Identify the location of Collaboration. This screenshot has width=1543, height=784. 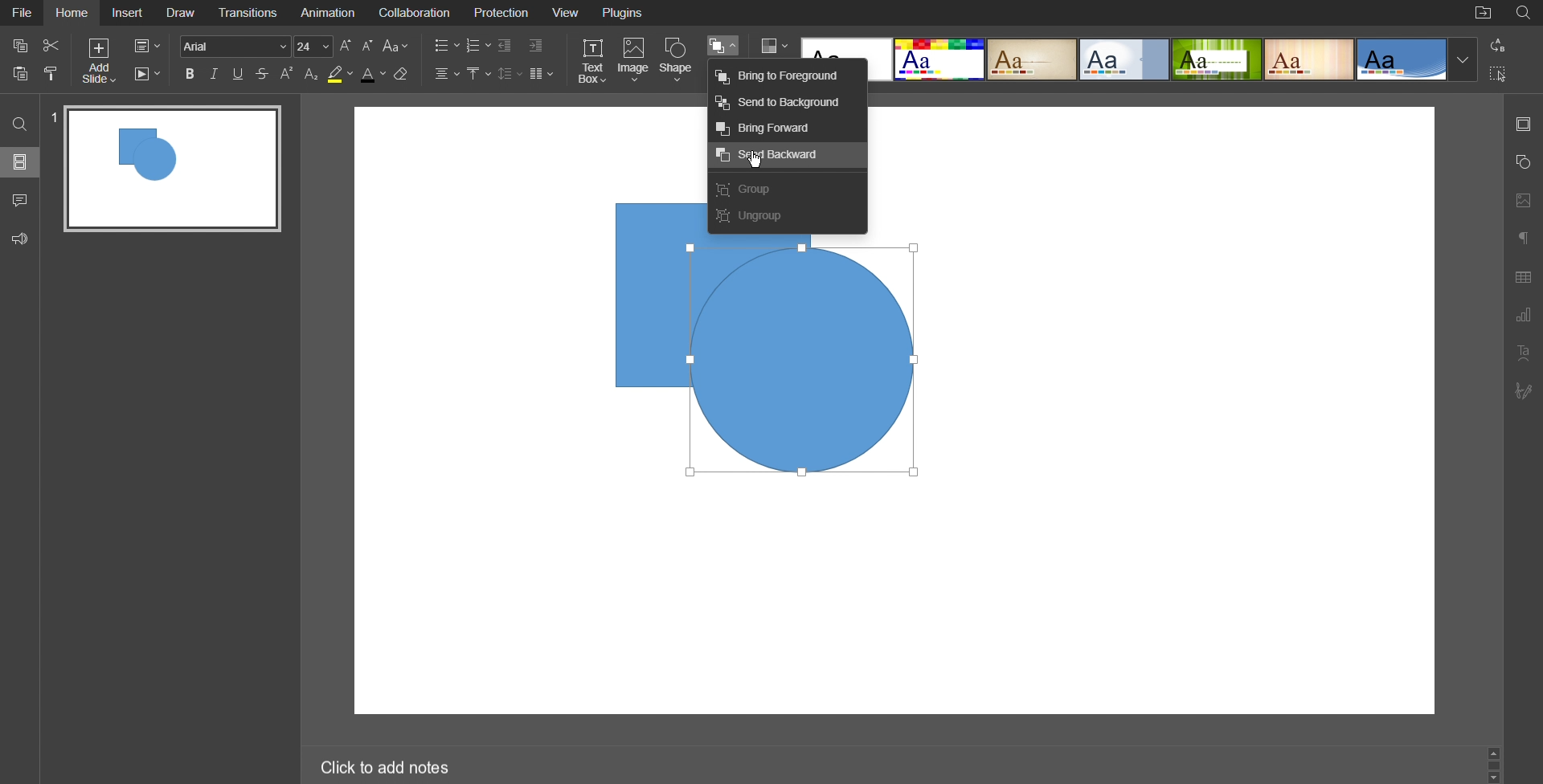
(412, 13).